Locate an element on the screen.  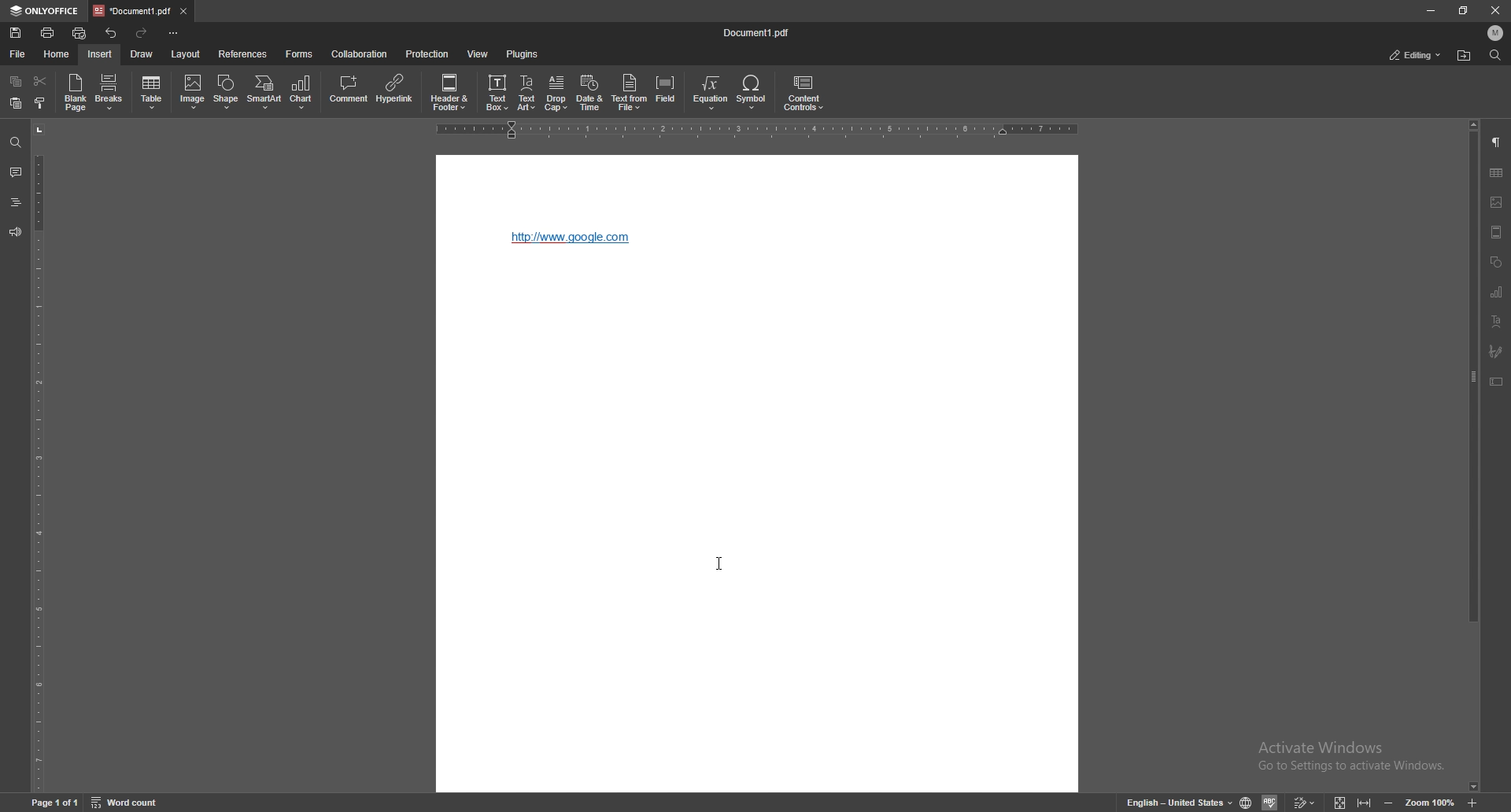
only office is located at coordinates (46, 11).